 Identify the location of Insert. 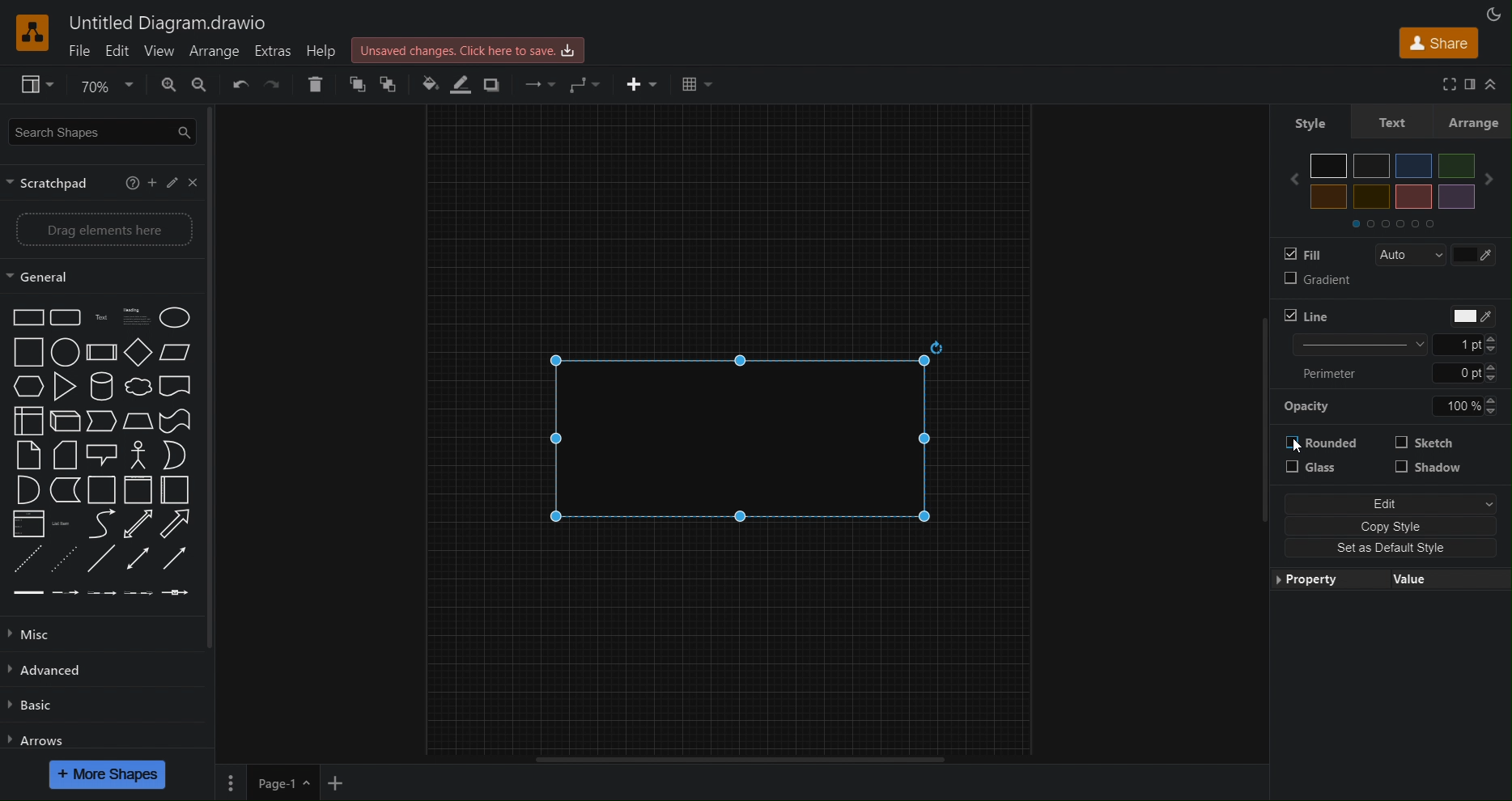
(635, 82).